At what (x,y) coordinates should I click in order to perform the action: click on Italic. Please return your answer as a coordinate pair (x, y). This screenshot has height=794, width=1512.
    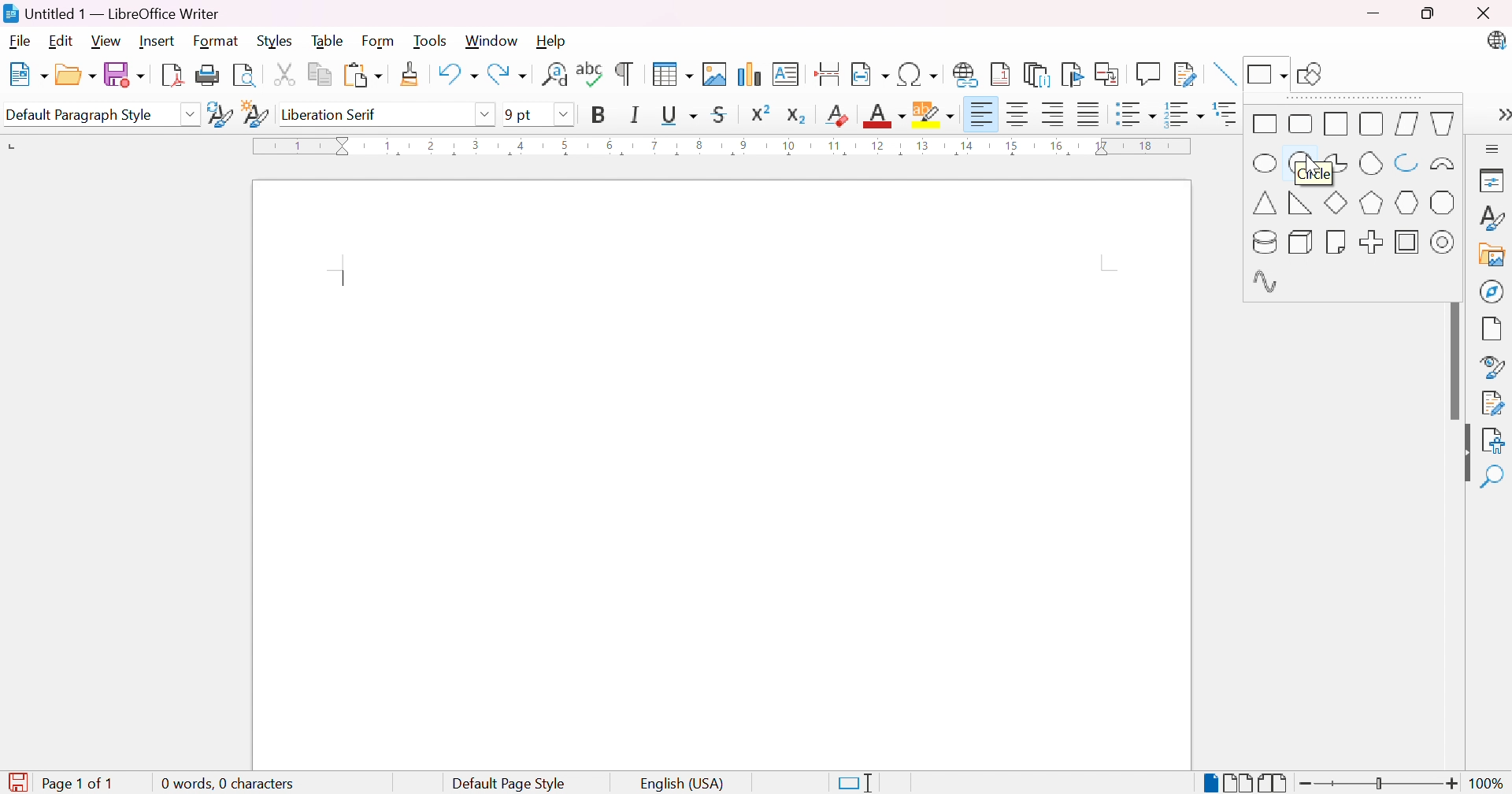
    Looking at the image, I should click on (634, 114).